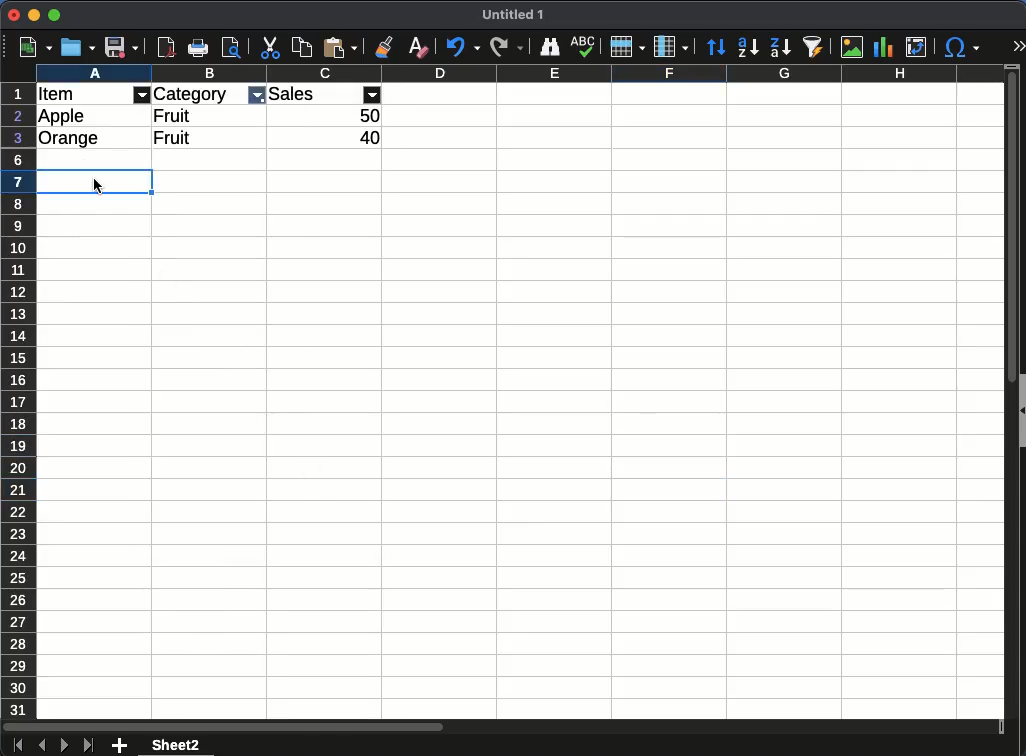  Describe the element at coordinates (70, 139) in the screenshot. I see `Orange` at that location.